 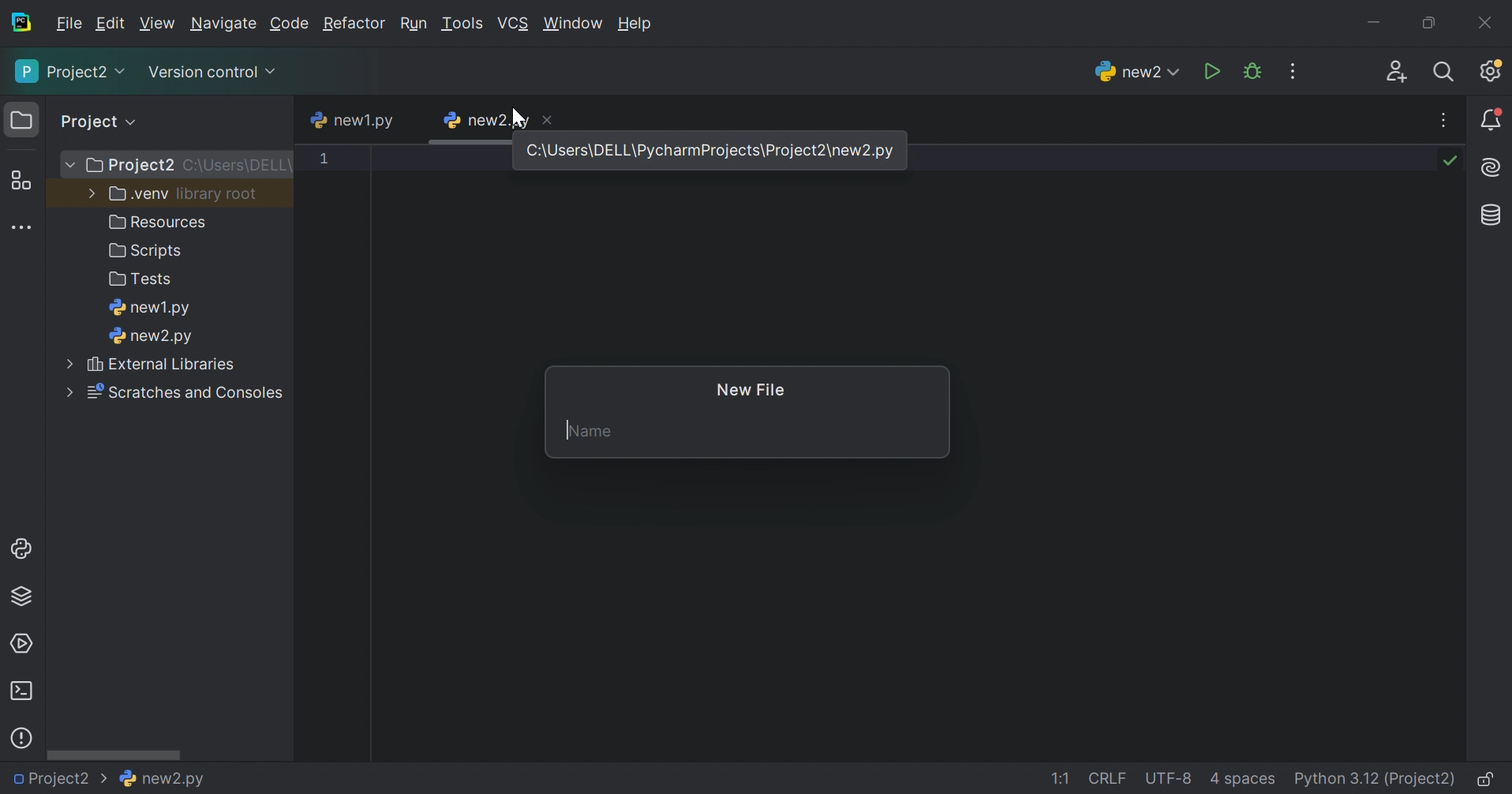 I want to click on Minimize, so click(x=1372, y=23).